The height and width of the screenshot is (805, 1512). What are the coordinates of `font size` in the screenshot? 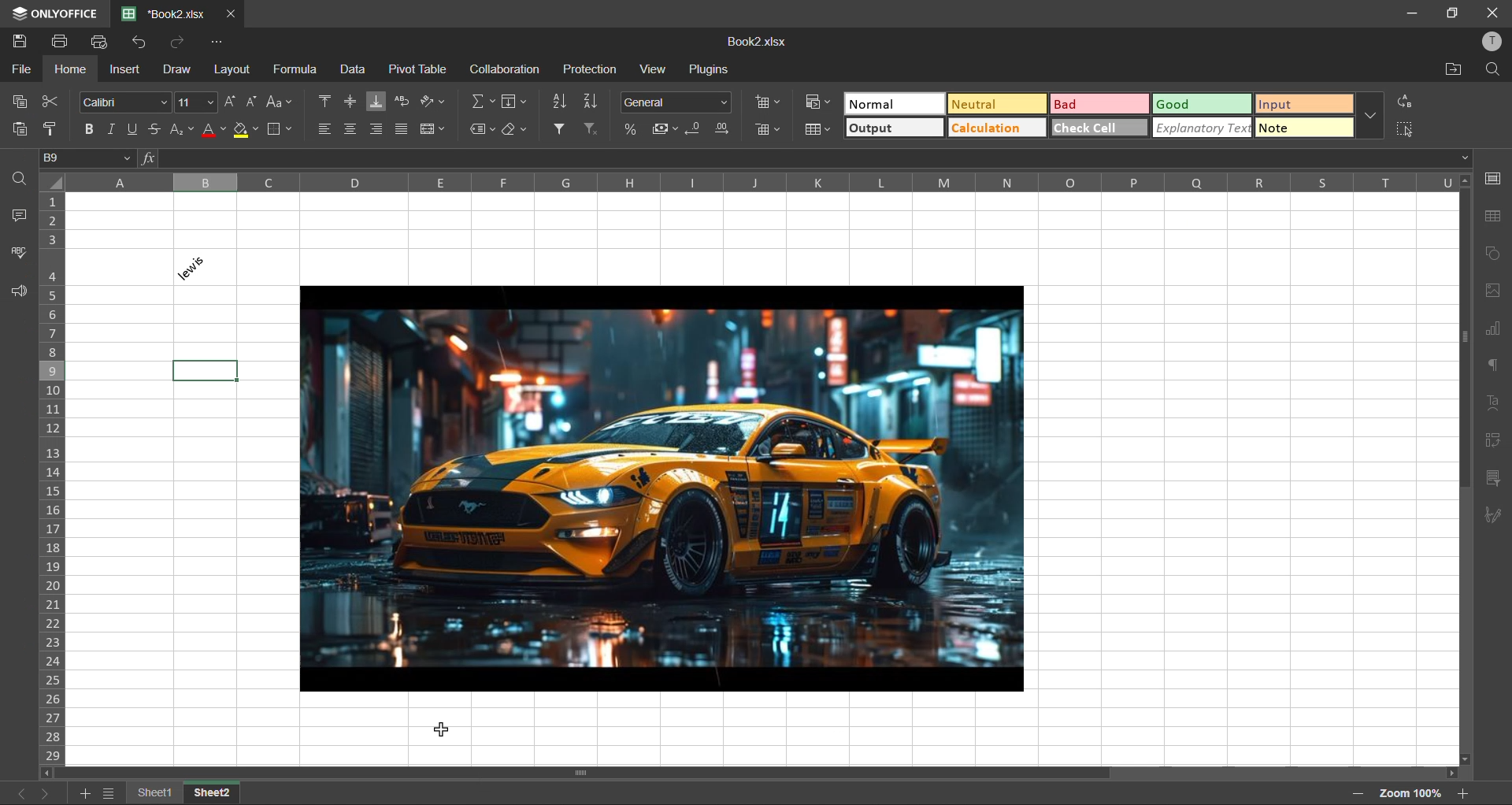 It's located at (198, 102).